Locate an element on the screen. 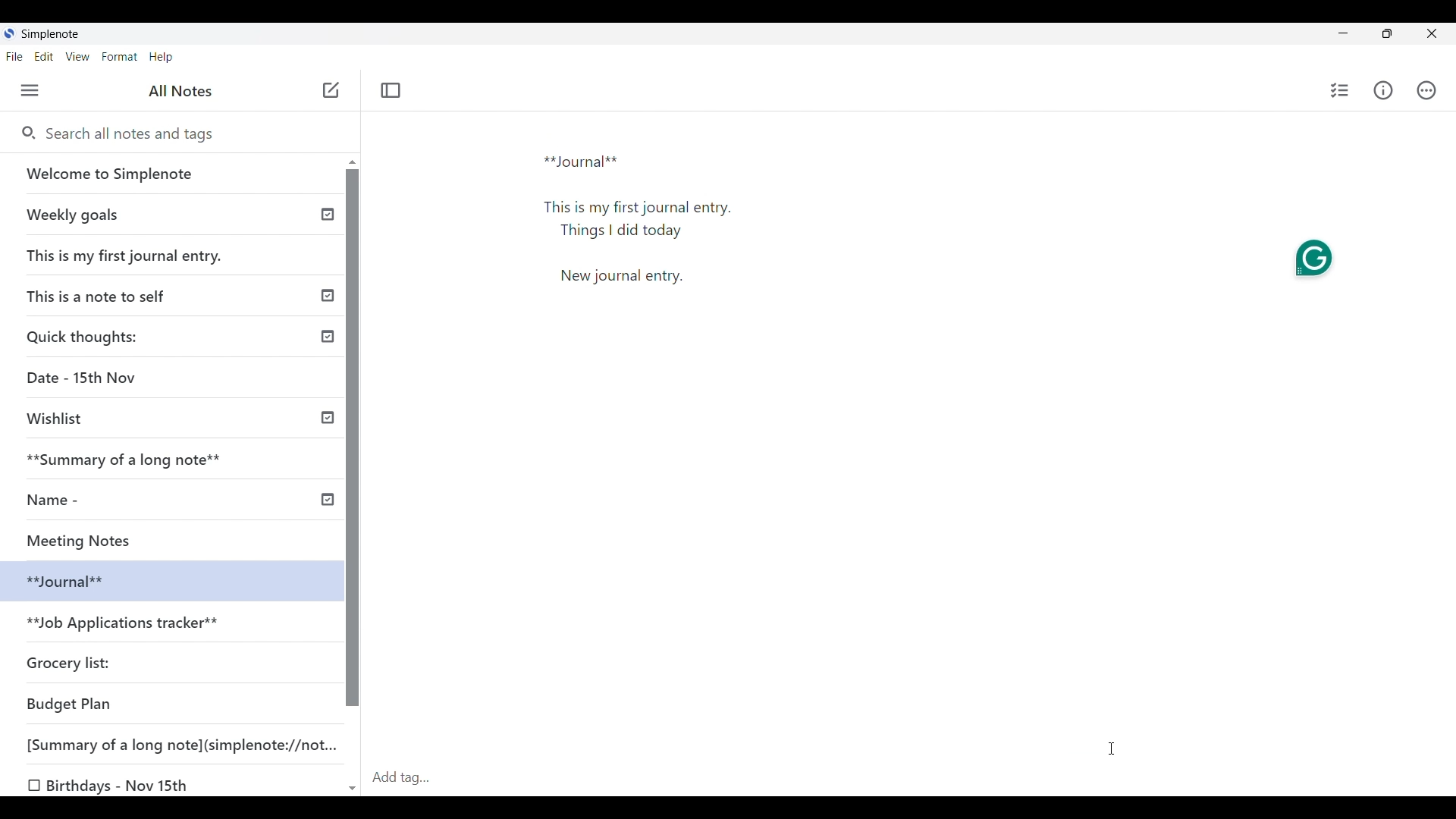 The image size is (1456, 819). Quick slide to top is located at coordinates (353, 162).